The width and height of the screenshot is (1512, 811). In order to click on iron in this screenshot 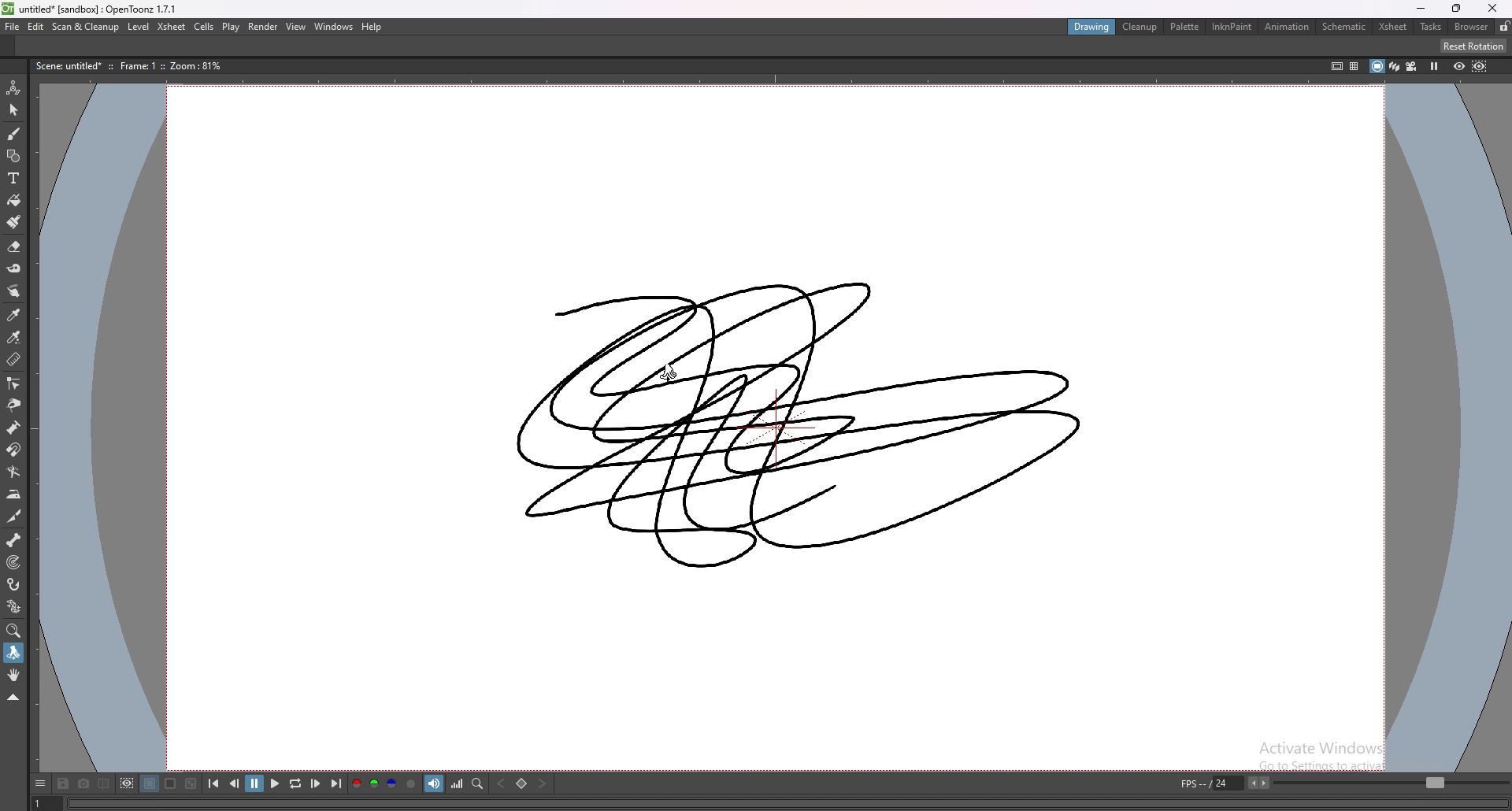, I will do `click(13, 494)`.